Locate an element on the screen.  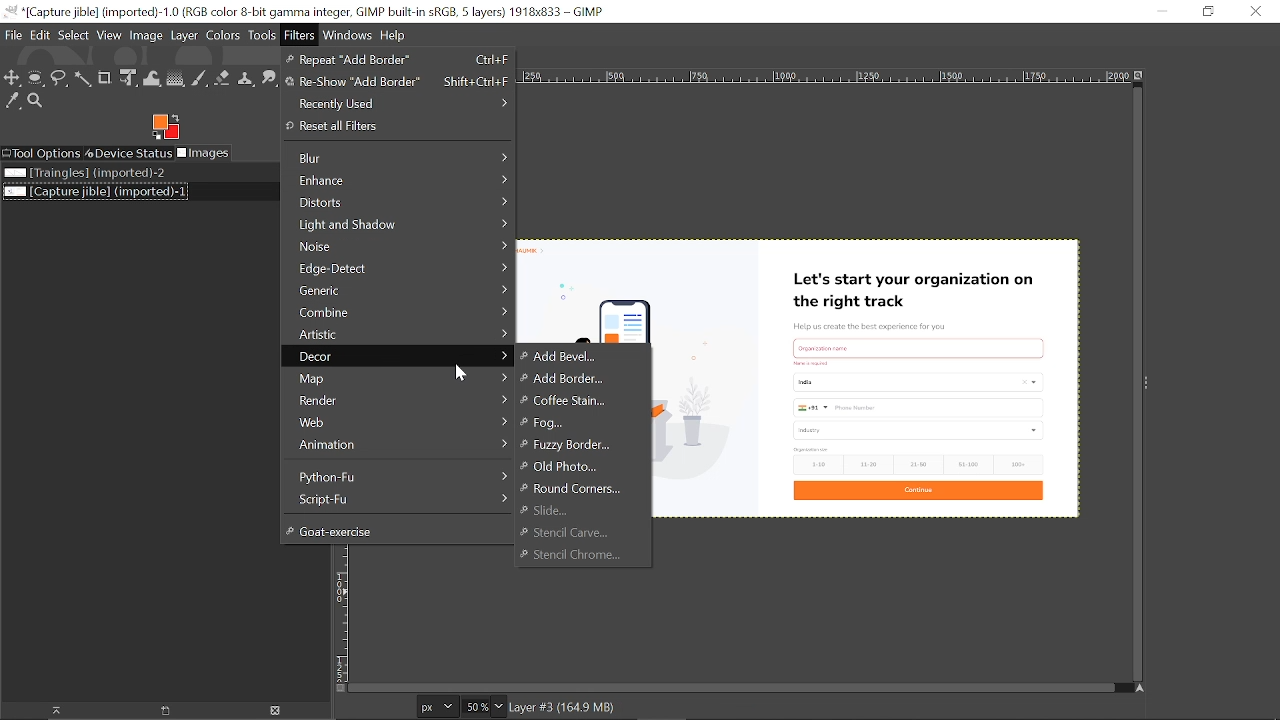
Paintbrush tool is located at coordinates (201, 79).